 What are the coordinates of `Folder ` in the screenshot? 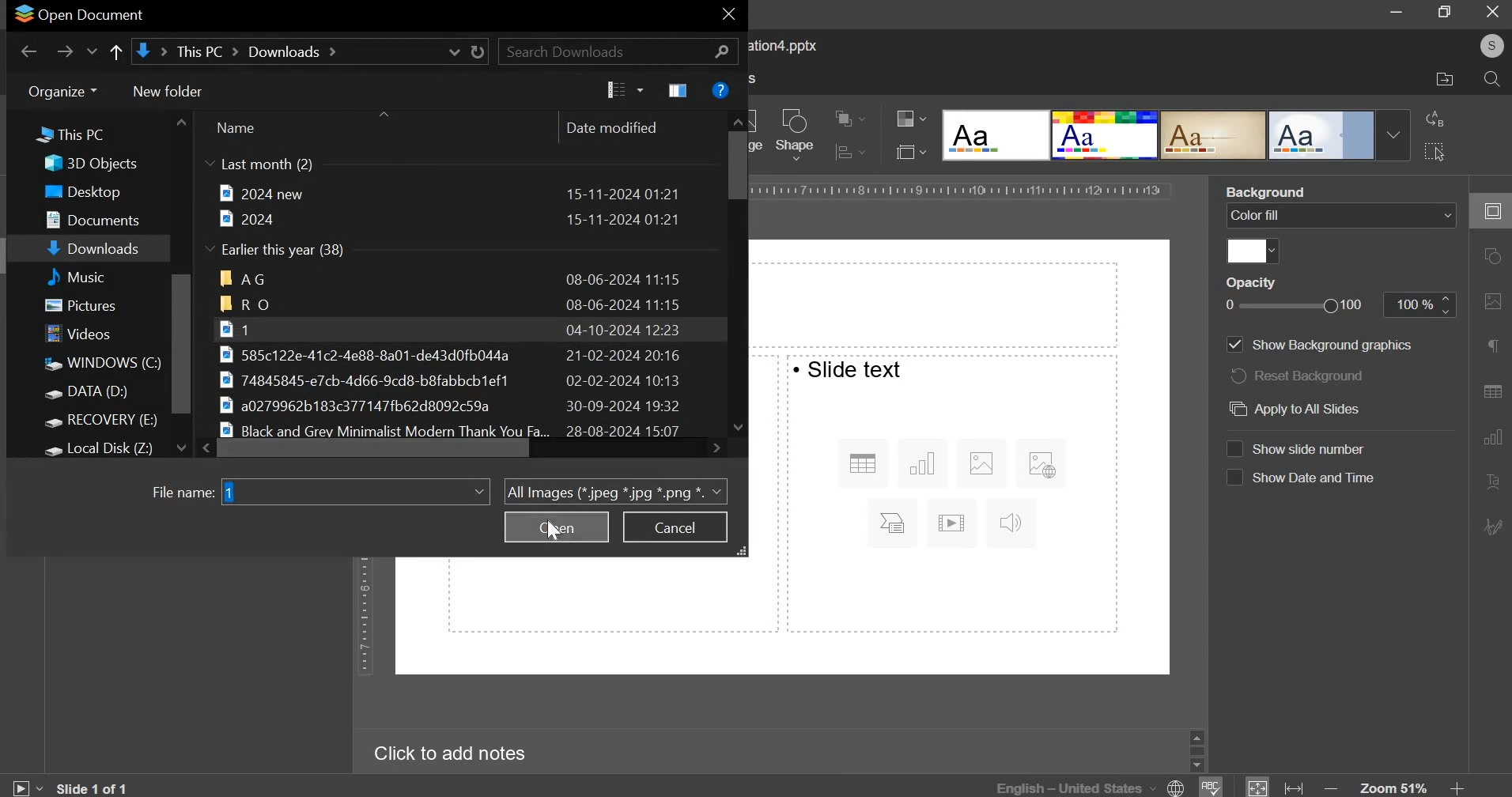 It's located at (452, 278).